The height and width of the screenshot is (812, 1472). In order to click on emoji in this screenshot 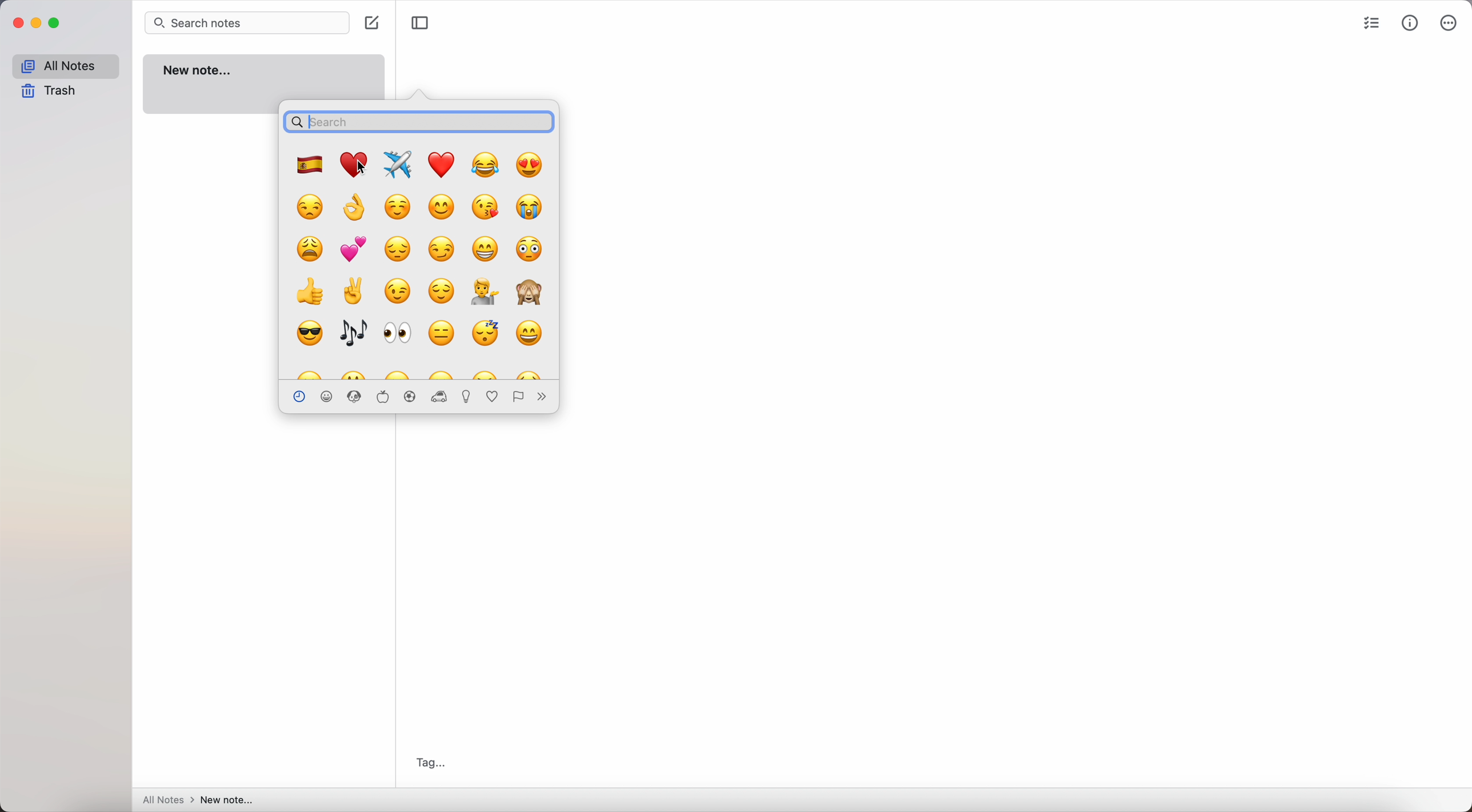, I will do `click(528, 335)`.